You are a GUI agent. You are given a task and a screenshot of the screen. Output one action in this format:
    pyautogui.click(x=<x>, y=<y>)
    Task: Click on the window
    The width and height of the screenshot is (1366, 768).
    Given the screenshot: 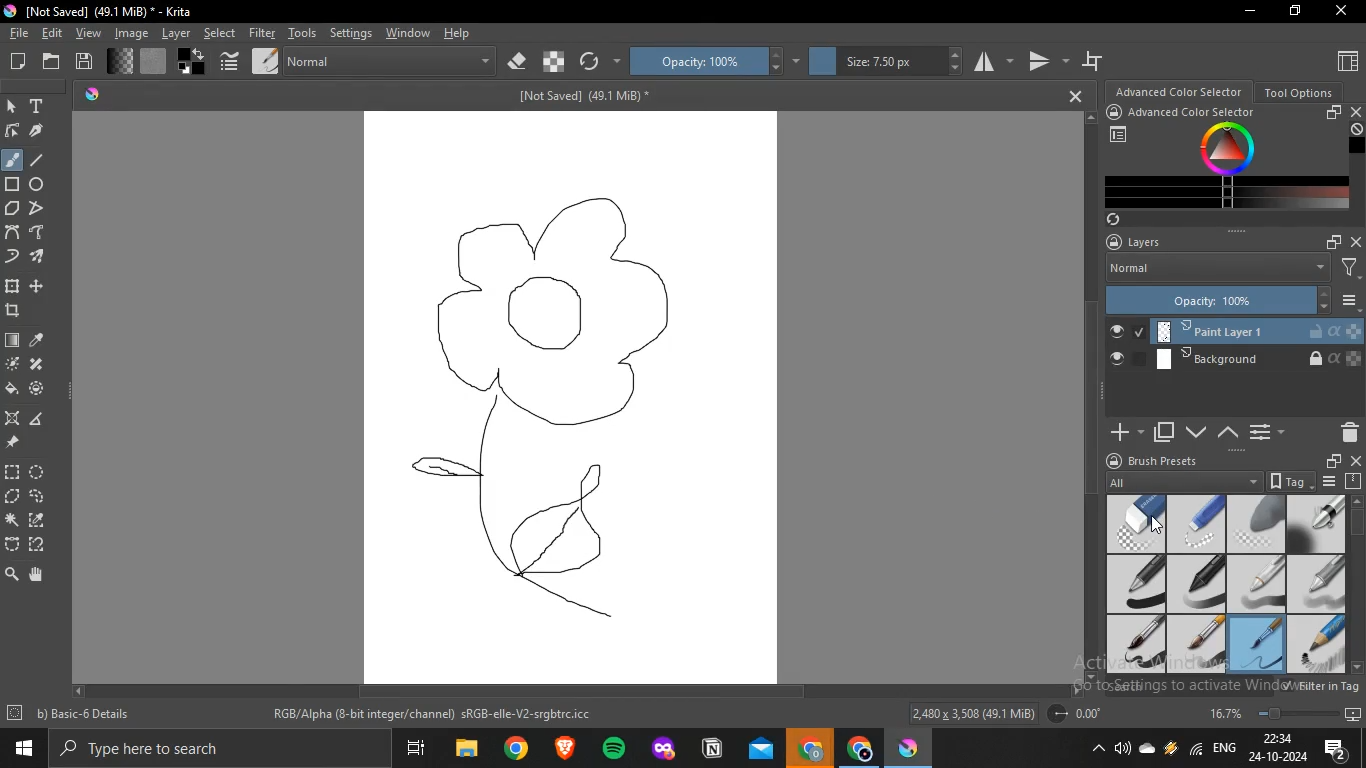 What is the action you would take?
    pyautogui.click(x=406, y=33)
    